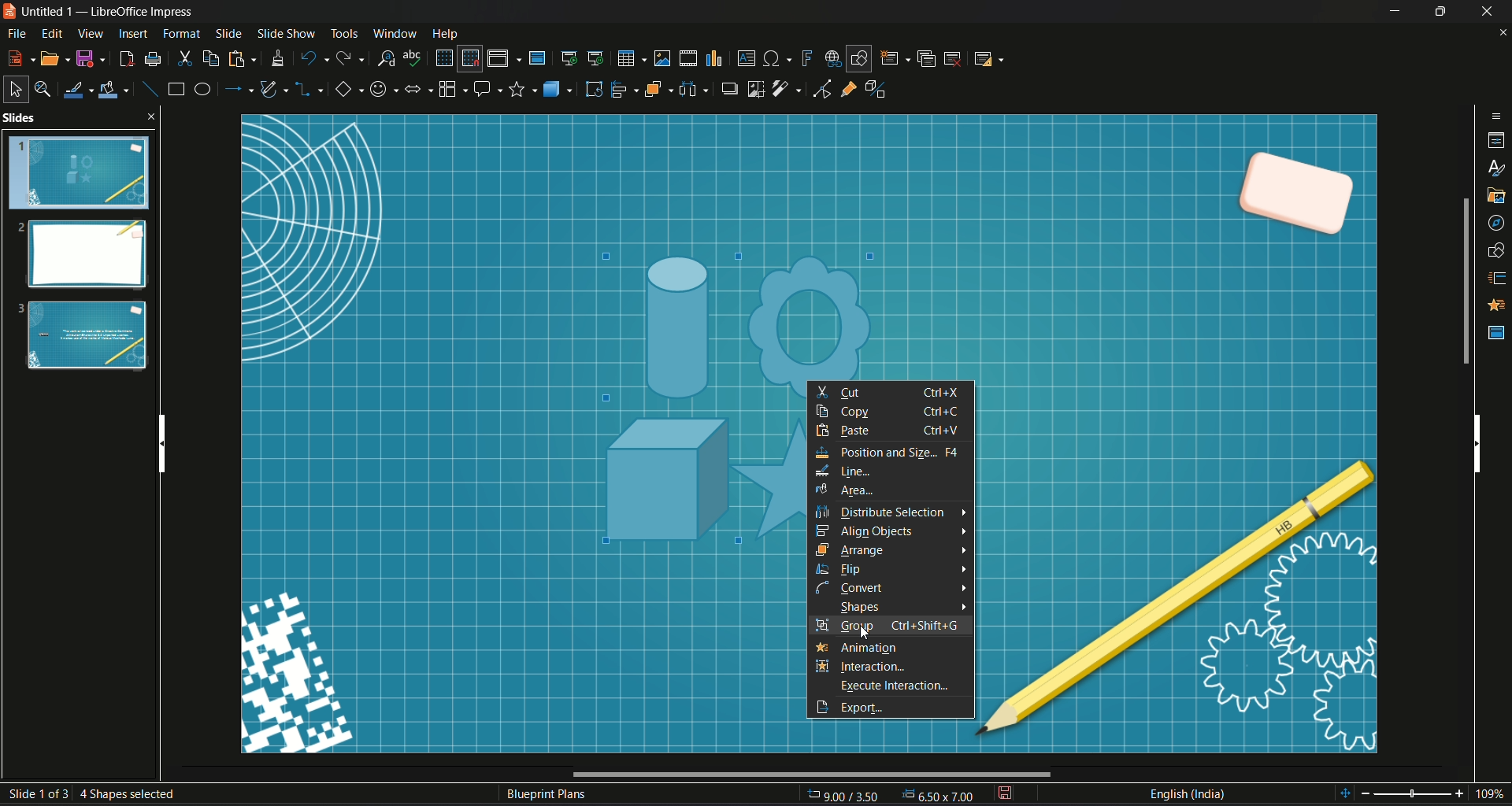 The height and width of the screenshot is (806, 1512). What do you see at coordinates (868, 532) in the screenshot?
I see `align objects` at bounding box center [868, 532].